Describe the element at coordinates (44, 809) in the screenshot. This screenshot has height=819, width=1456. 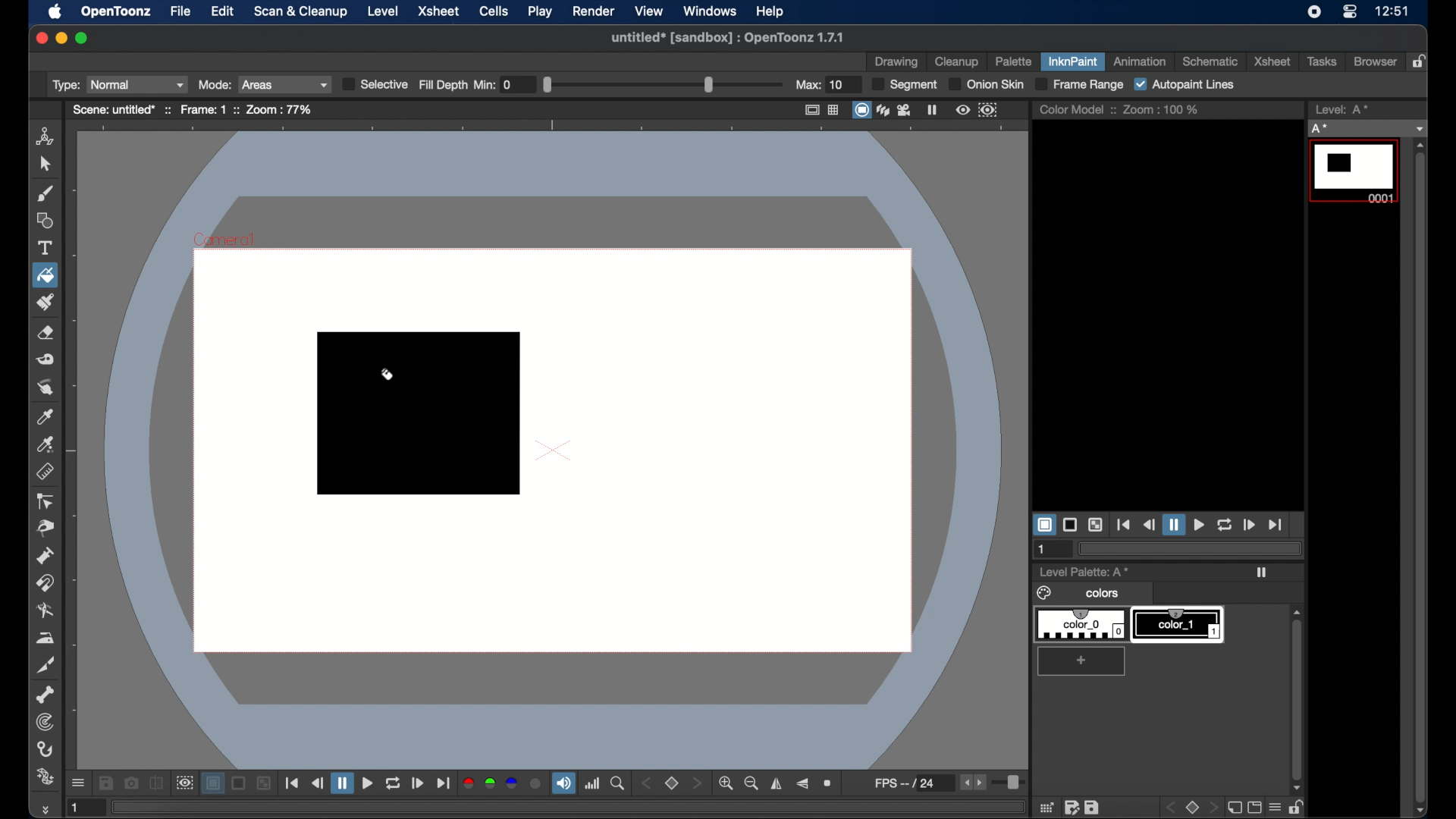
I see `more` at that location.